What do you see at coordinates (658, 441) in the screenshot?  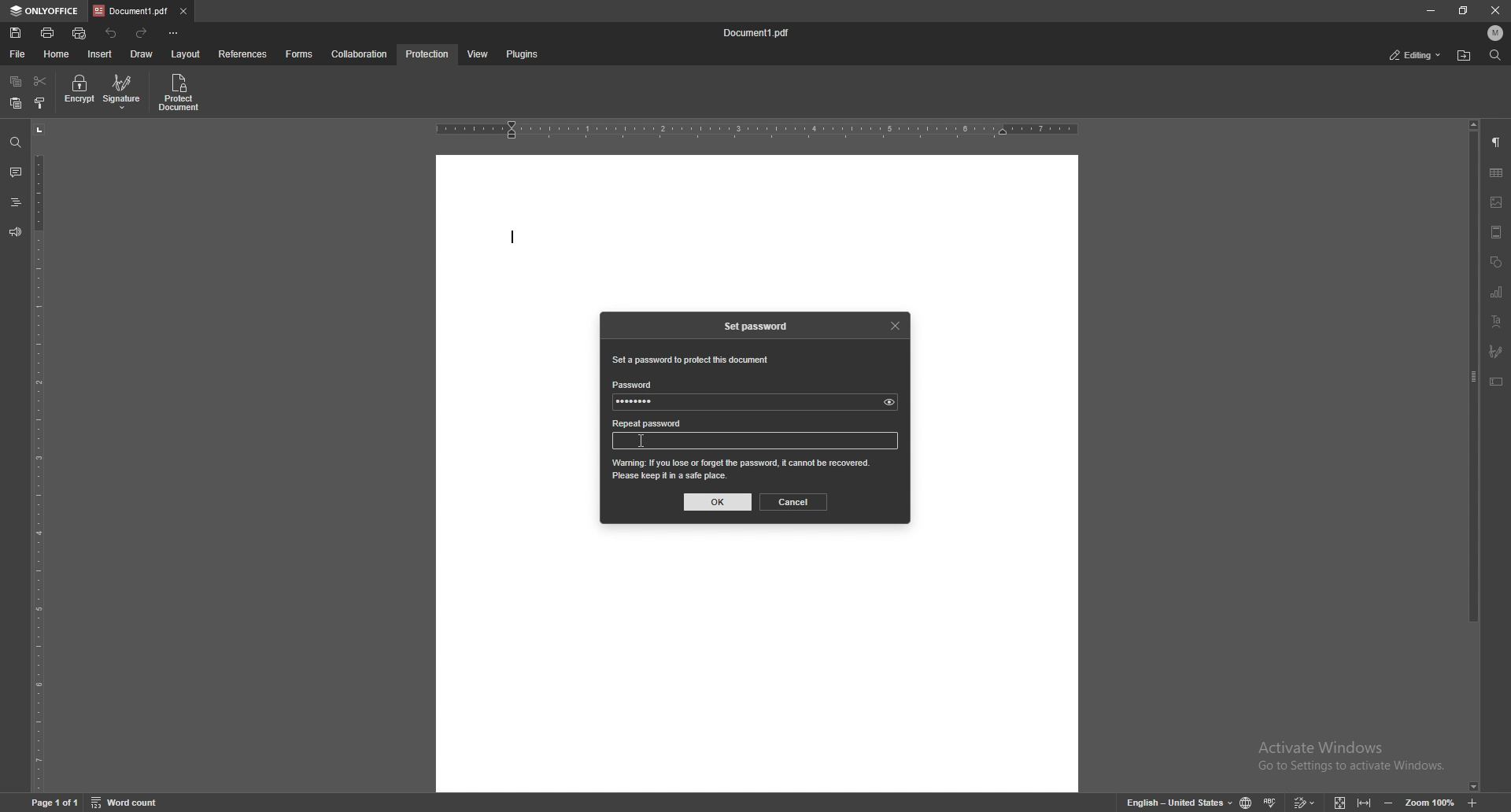 I see `password input` at bounding box center [658, 441].